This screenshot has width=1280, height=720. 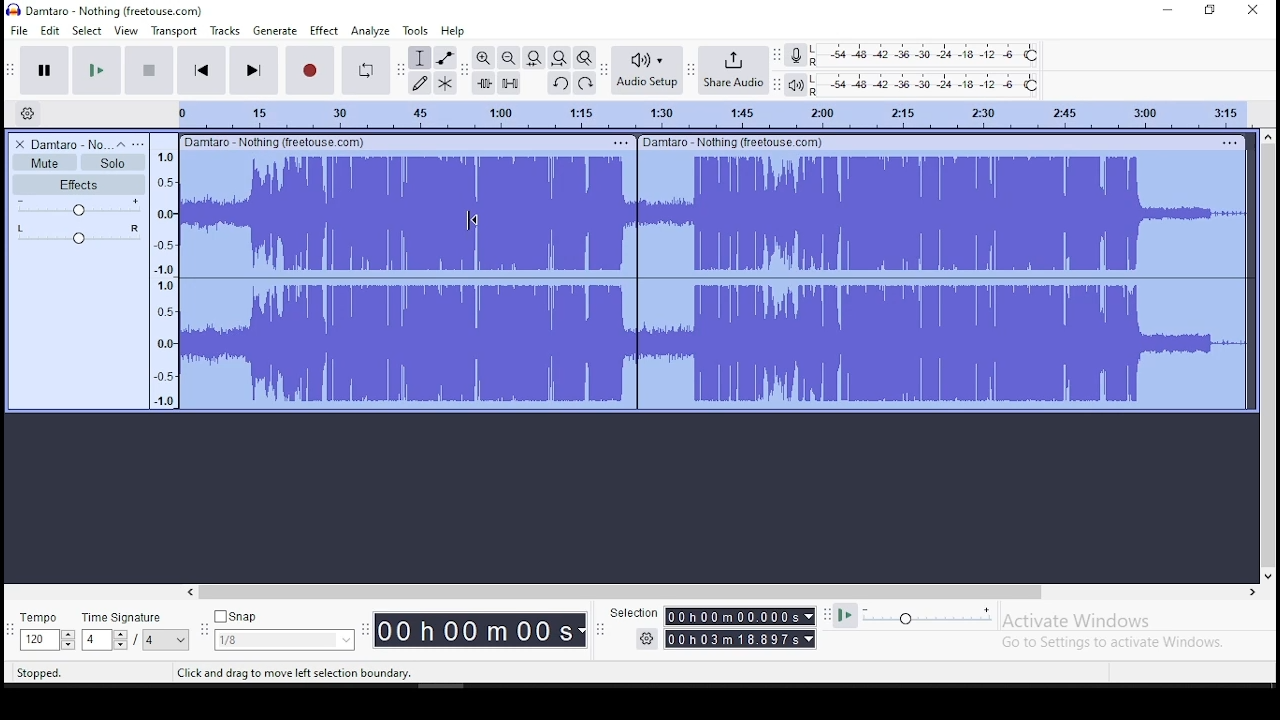 I want to click on redo, so click(x=587, y=84).